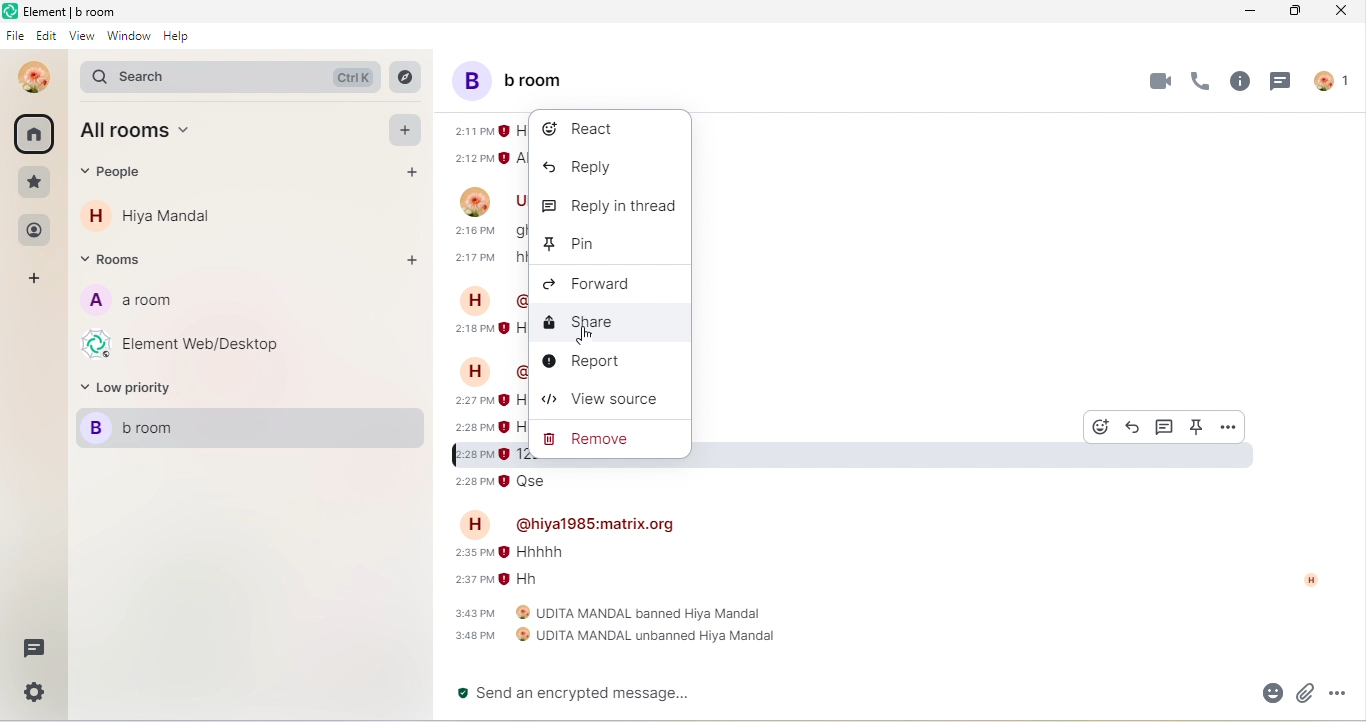 The width and height of the screenshot is (1366, 722). What do you see at coordinates (603, 283) in the screenshot?
I see `forward` at bounding box center [603, 283].